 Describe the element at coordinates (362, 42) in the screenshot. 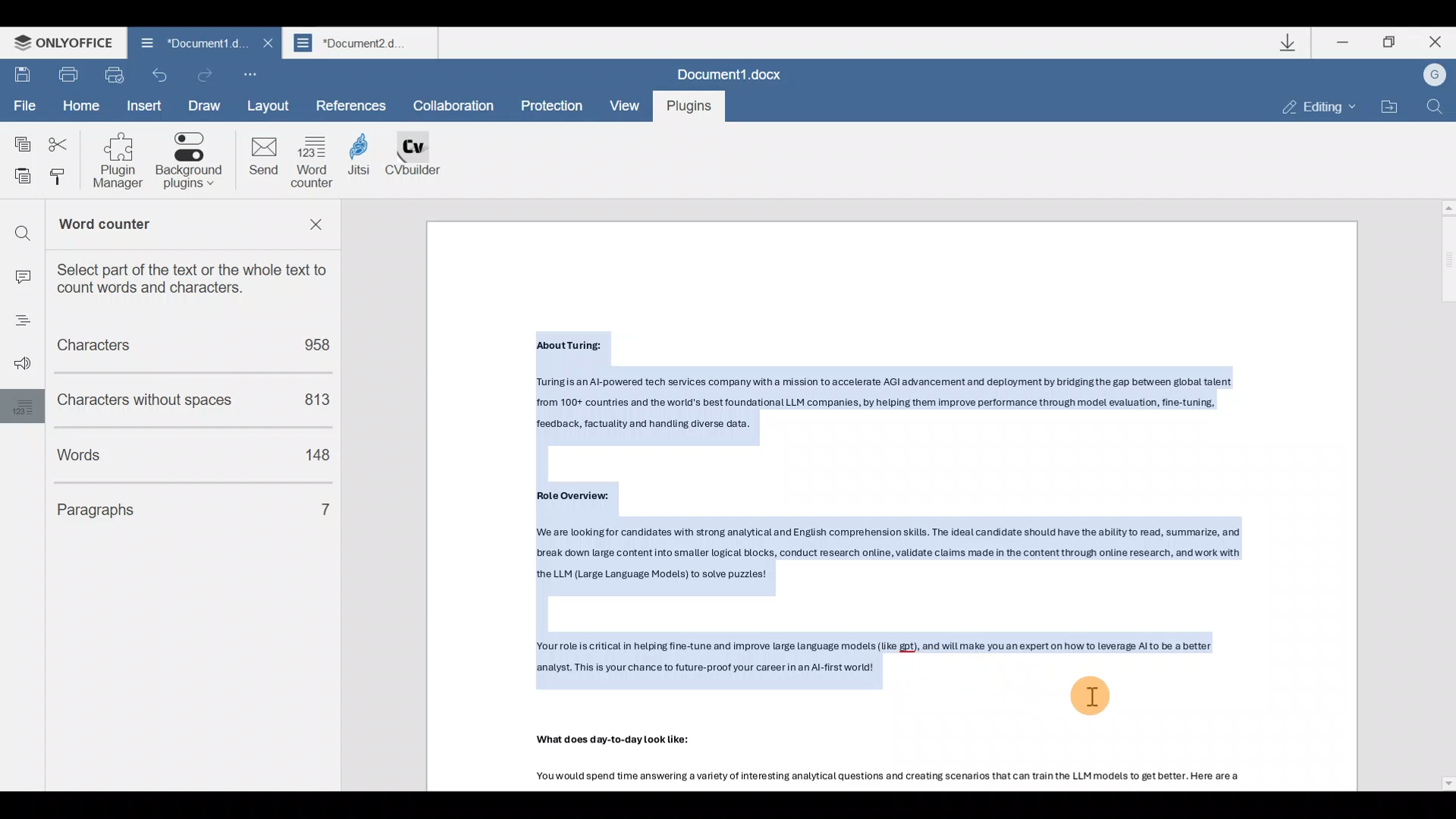

I see `Document name` at that location.